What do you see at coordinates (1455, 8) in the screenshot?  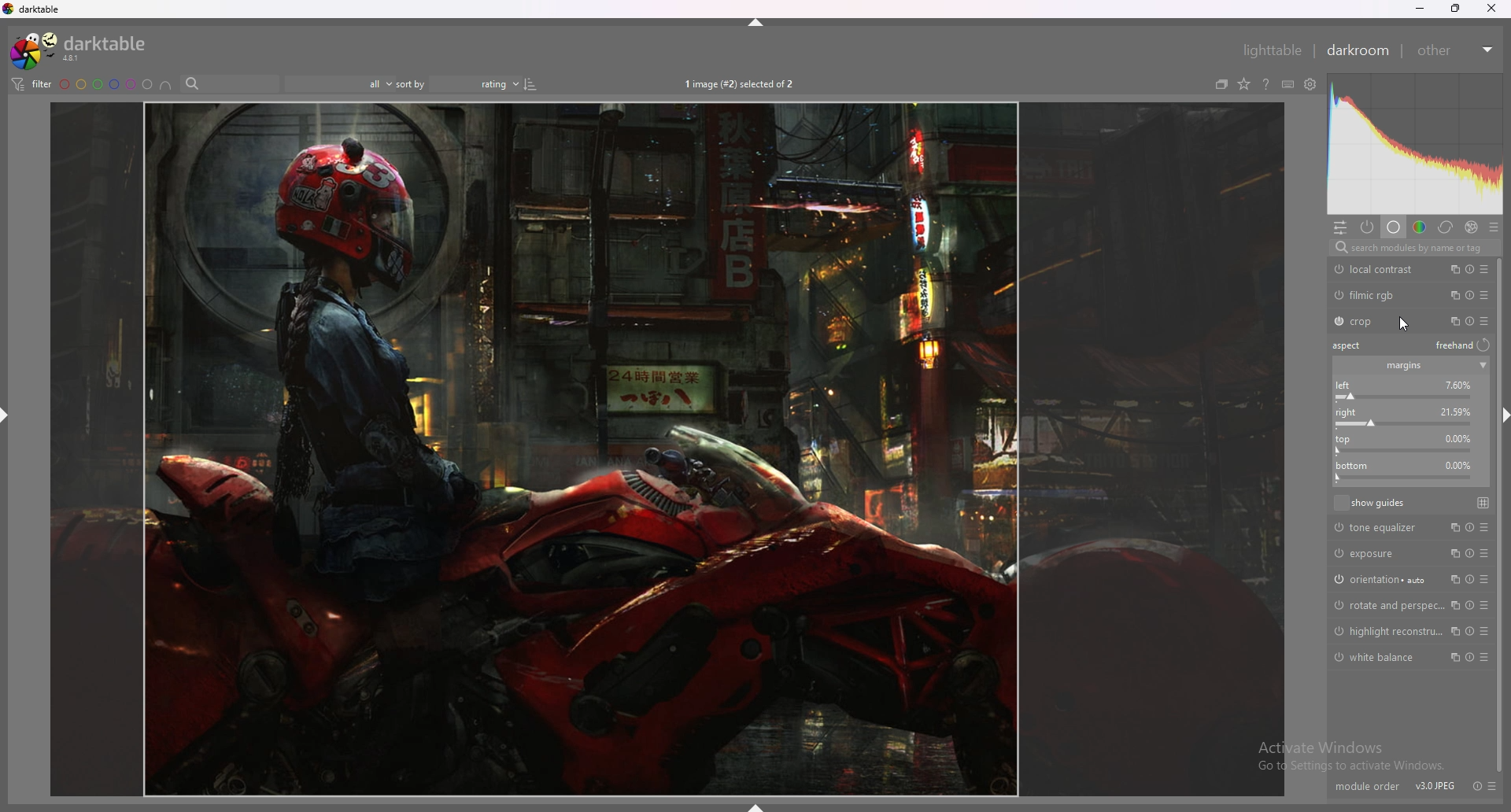 I see `resize` at bounding box center [1455, 8].